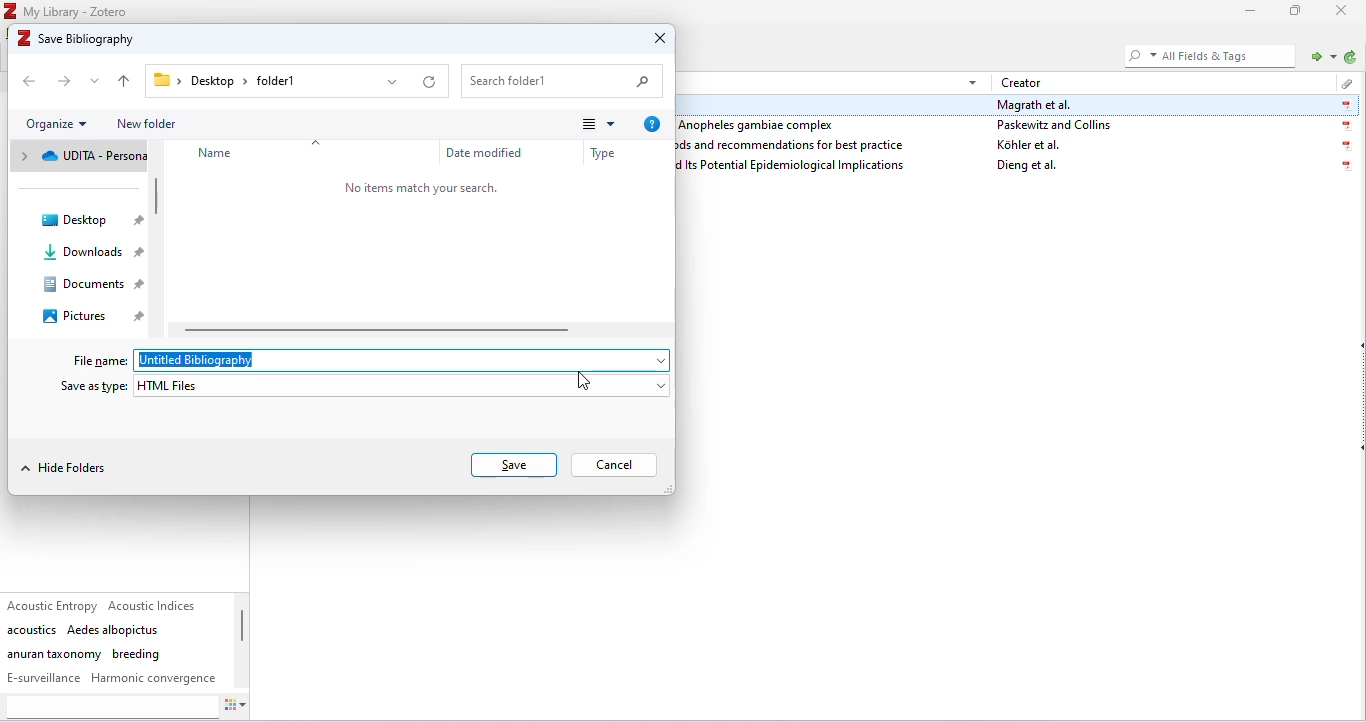 Image resolution: width=1366 pixels, height=722 pixels. Describe the element at coordinates (1345, 126) in the screenshot. I see `pdf` at that location.